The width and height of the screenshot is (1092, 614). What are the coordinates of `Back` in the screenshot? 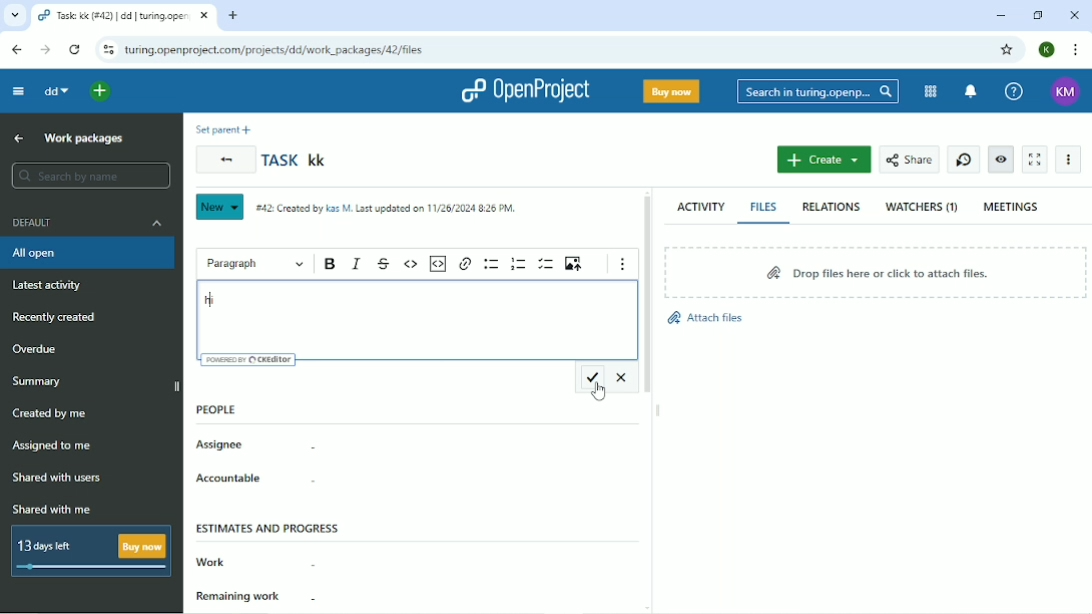 It's located at (17, 49).